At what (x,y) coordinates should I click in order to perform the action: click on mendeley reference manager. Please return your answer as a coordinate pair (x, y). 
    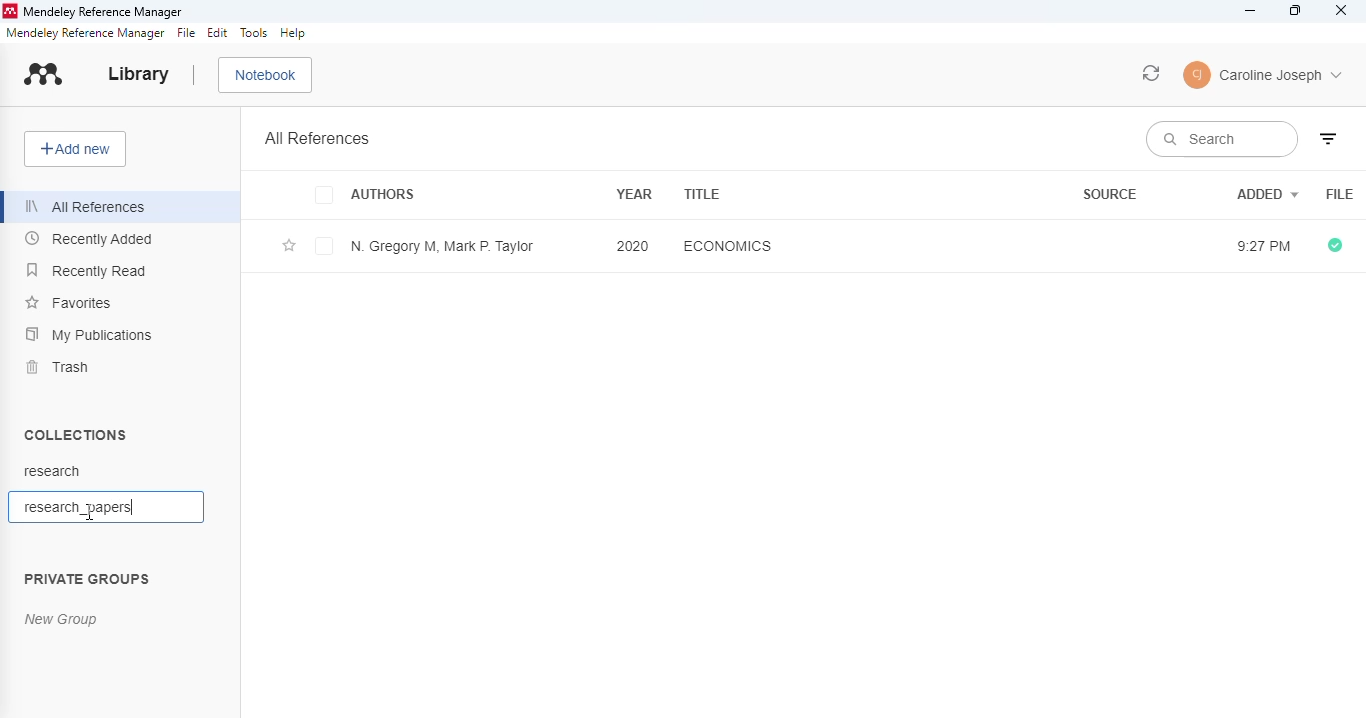
    Looking at the image, I should click on (86, 33).